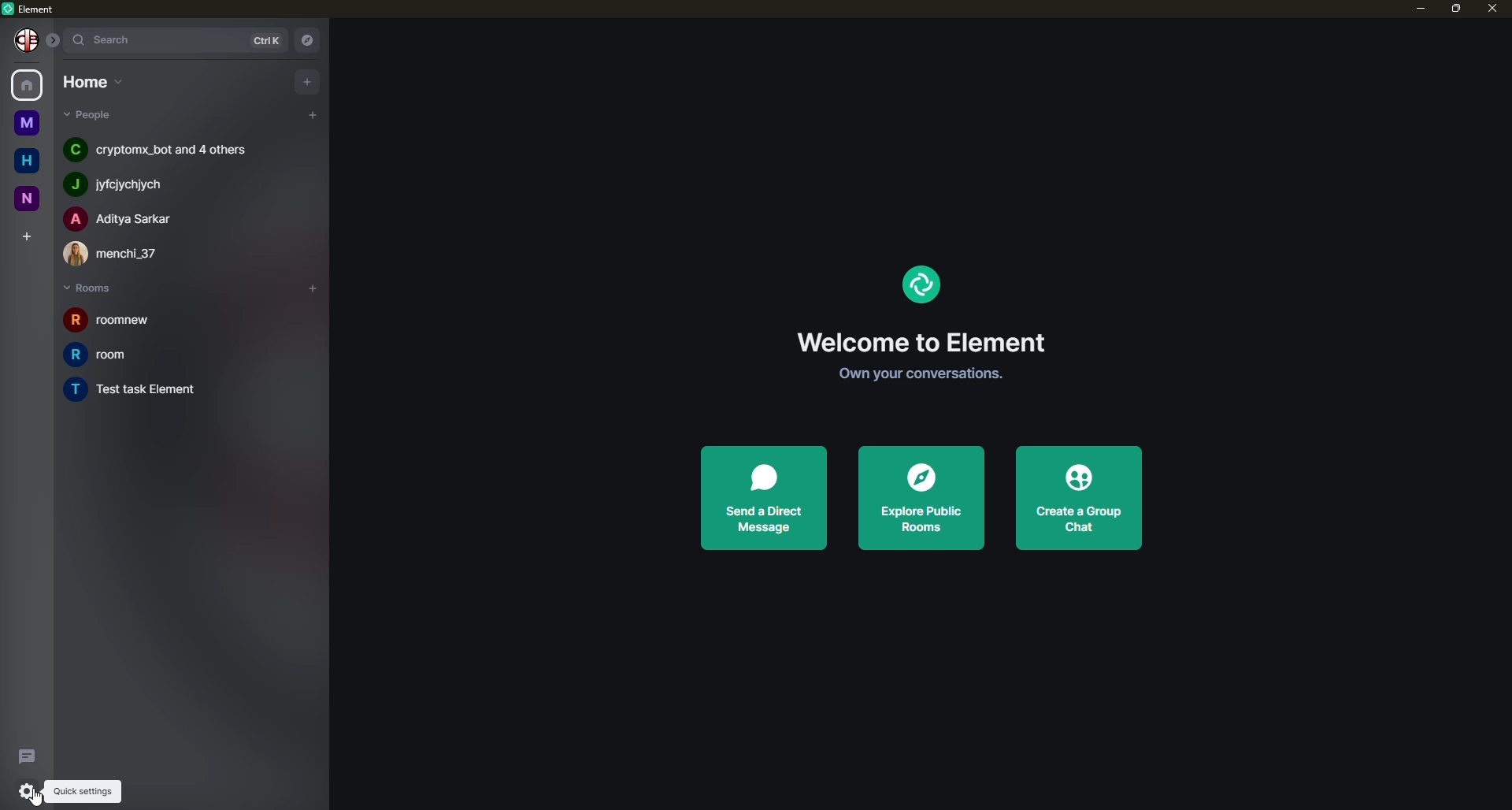 This screenshot has width=1512, height=810. Describe the element at coordinates (918, 342) in the screenshot. I see `welcome` at that location.